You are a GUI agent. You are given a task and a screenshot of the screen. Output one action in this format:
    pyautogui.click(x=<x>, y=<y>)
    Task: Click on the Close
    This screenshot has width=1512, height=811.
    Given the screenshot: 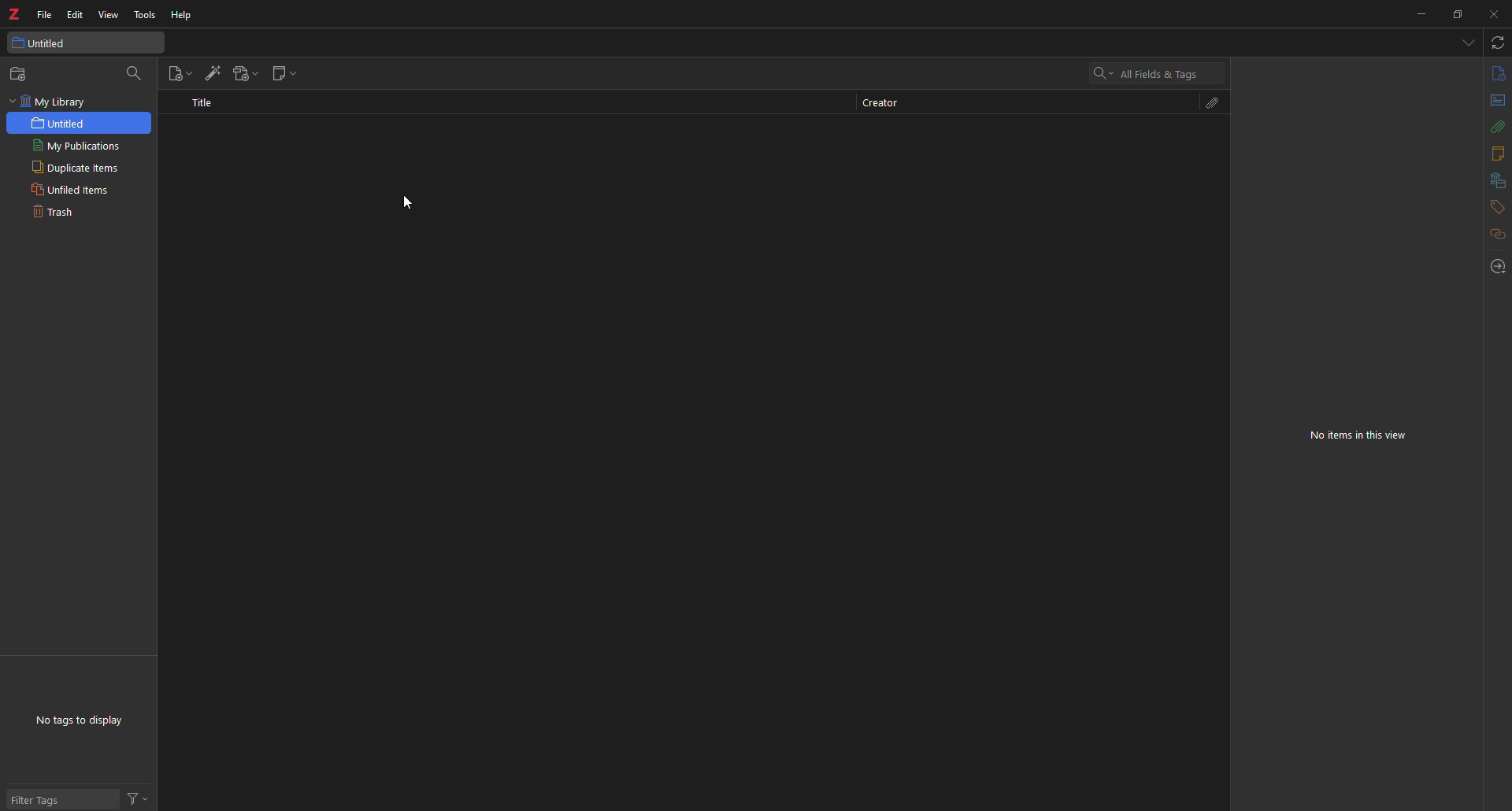 What is the action you would take?
    pyautogui.click(x=1492, y=14)
    